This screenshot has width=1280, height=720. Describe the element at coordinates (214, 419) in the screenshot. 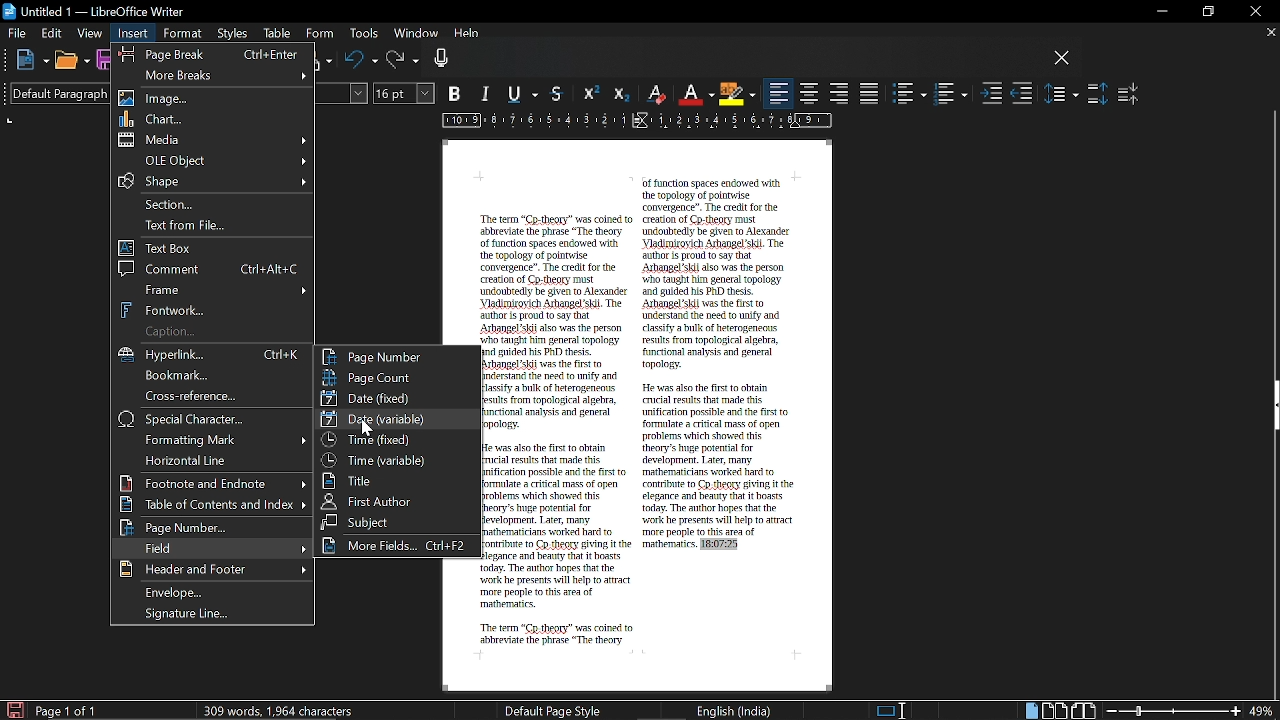

I see `Special character` at that location.